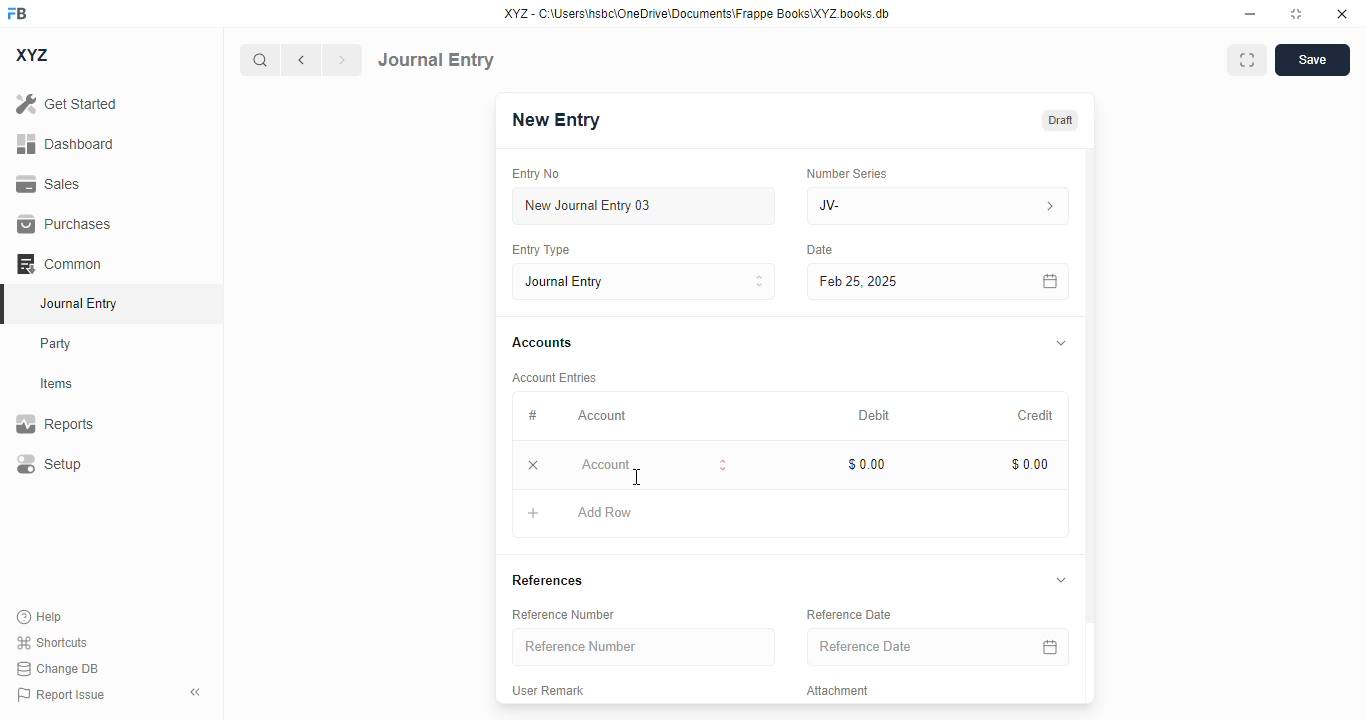 This screenshot has height=720, width=1366. What do you see at coordinates (643, 281) in the screenshot?
I see `entry type` at bounding box center [643, 281].